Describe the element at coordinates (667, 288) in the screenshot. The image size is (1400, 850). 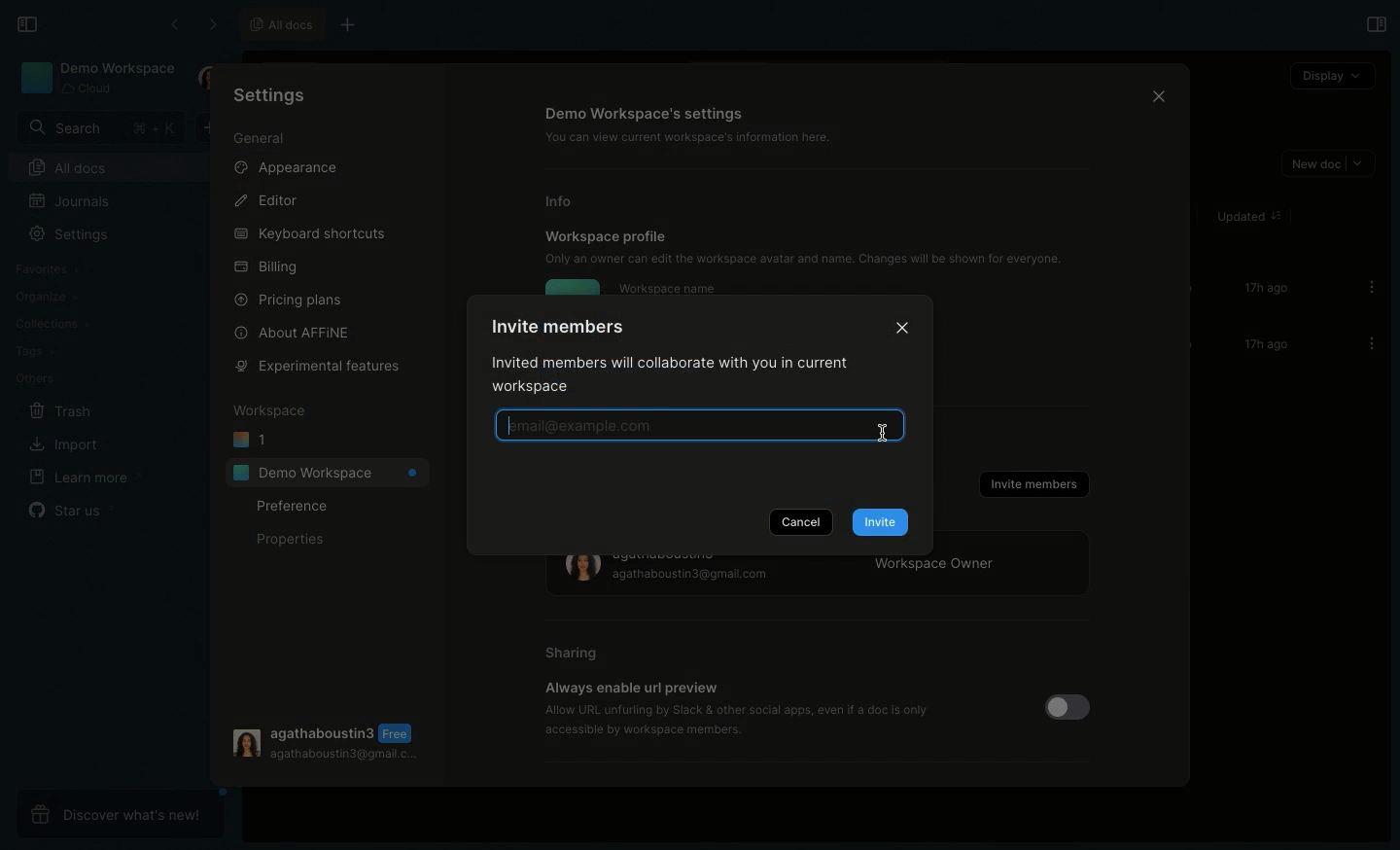
I see `Workspace name` at that location.